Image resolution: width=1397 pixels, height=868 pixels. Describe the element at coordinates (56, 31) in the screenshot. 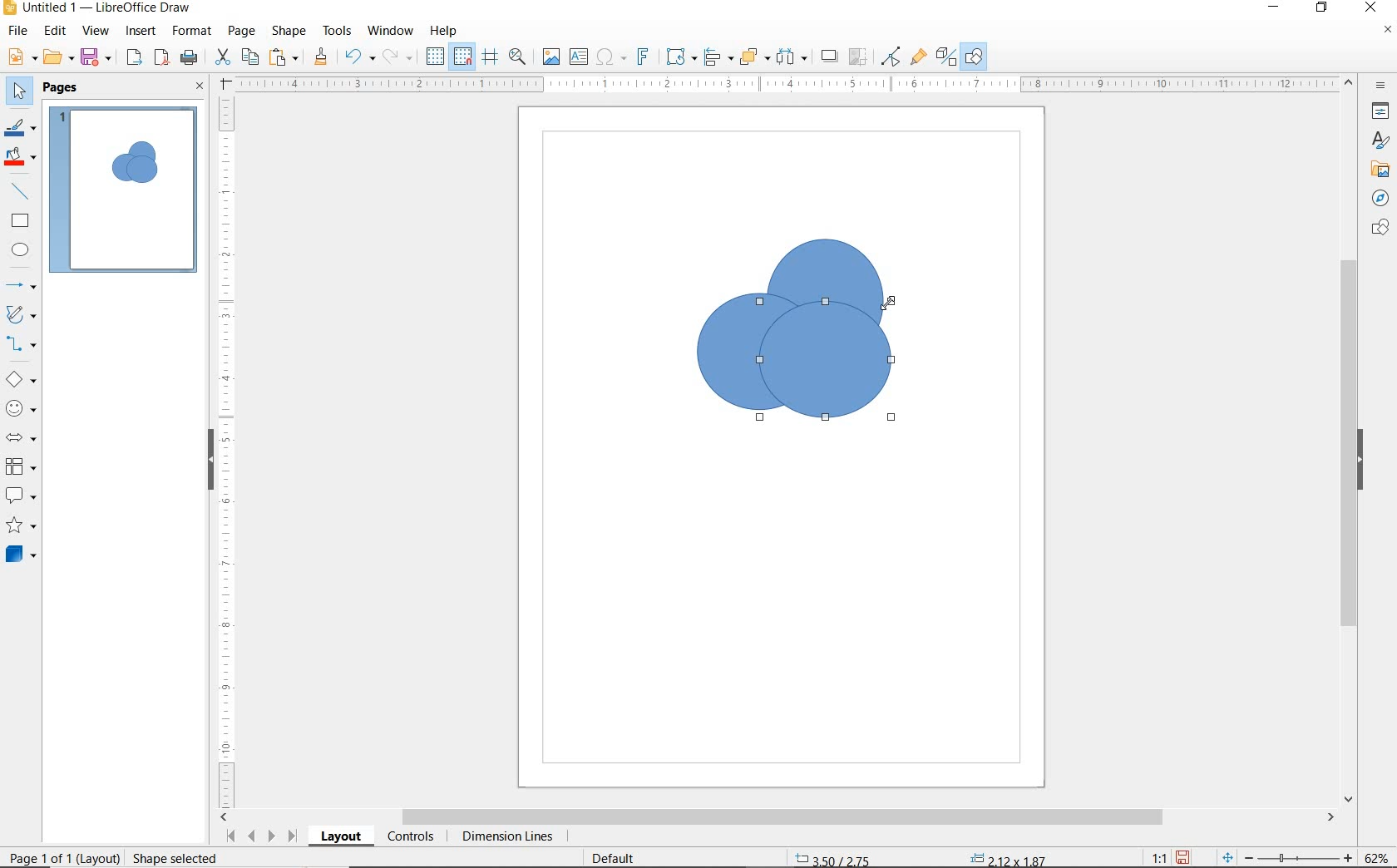

I see `EDIT` at that location.